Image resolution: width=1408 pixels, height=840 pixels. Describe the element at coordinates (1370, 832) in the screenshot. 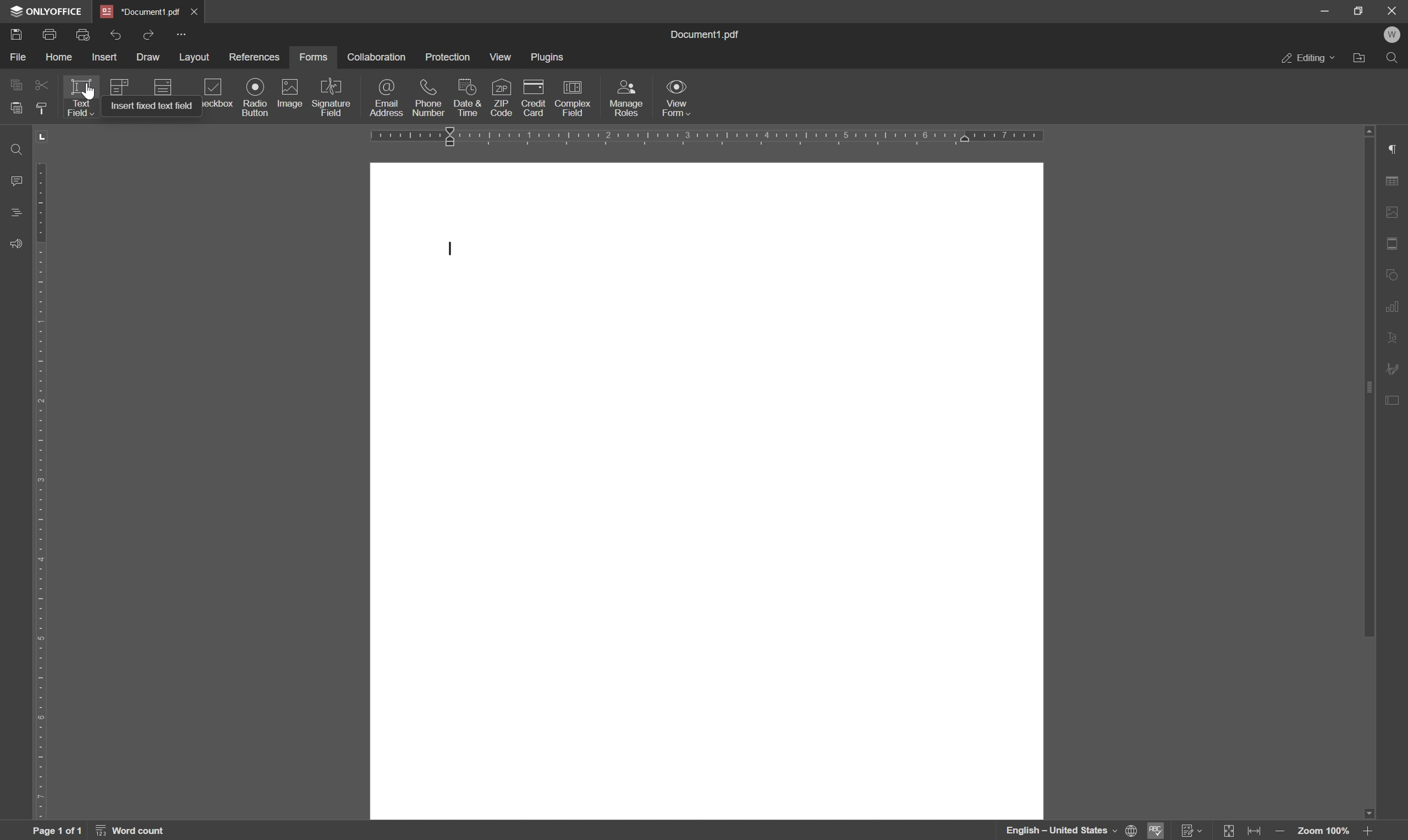

I see `zoom in` at that location.